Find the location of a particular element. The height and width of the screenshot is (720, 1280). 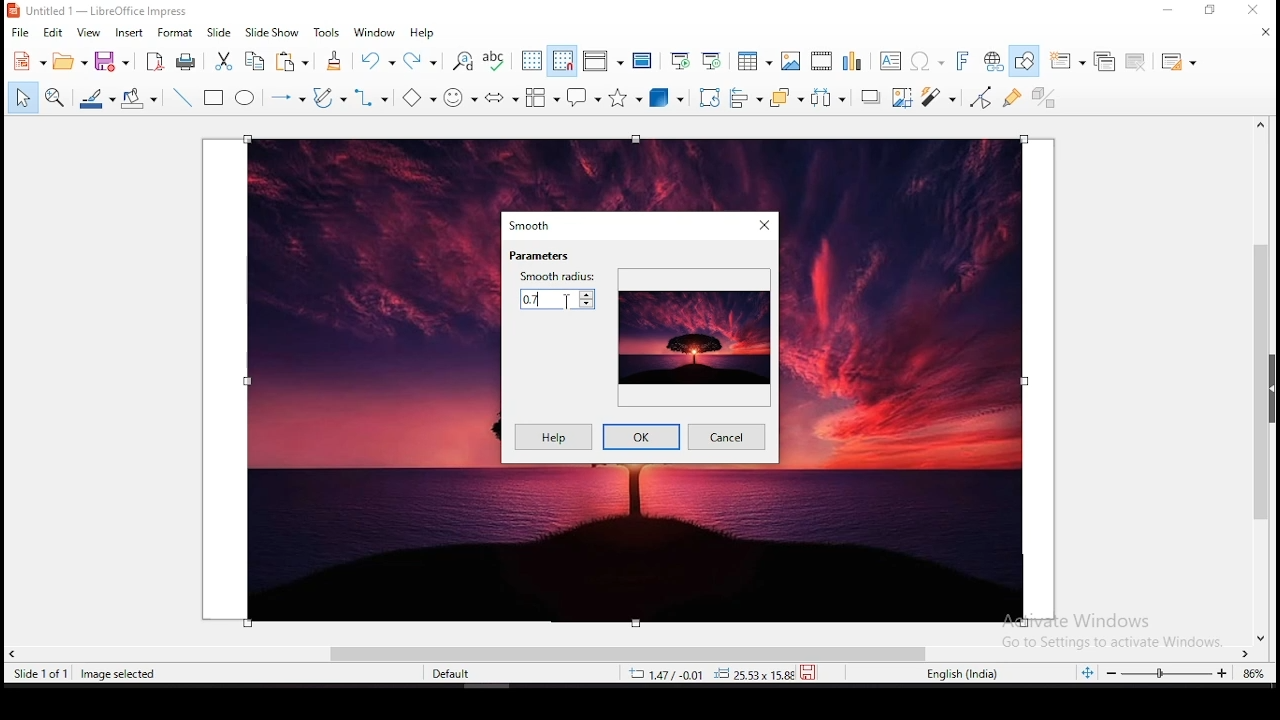

connectors is located at coordinates (372, 99).